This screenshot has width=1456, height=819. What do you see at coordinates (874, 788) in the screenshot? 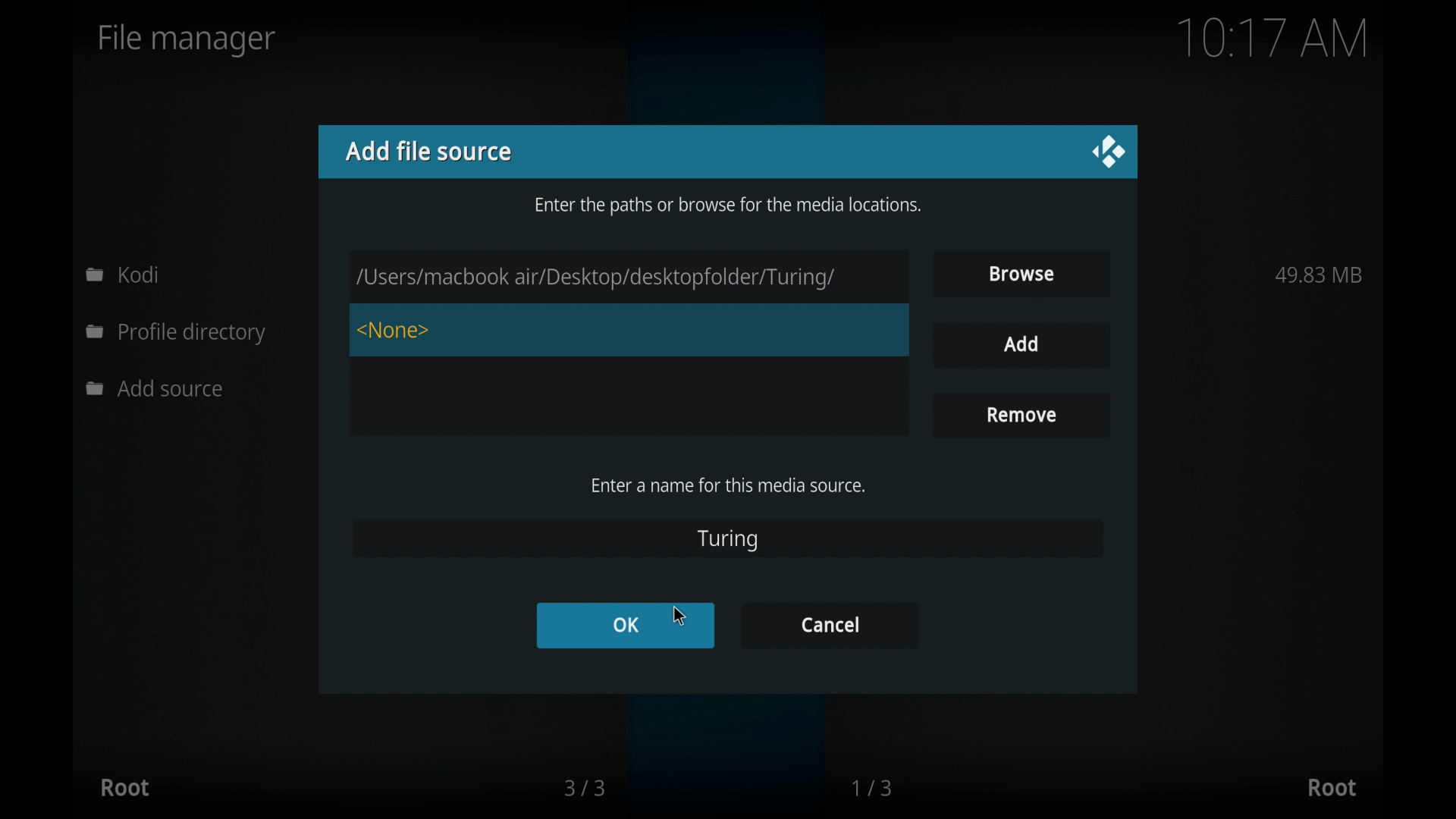
I see `1/3` at bounding box center [874, 788].